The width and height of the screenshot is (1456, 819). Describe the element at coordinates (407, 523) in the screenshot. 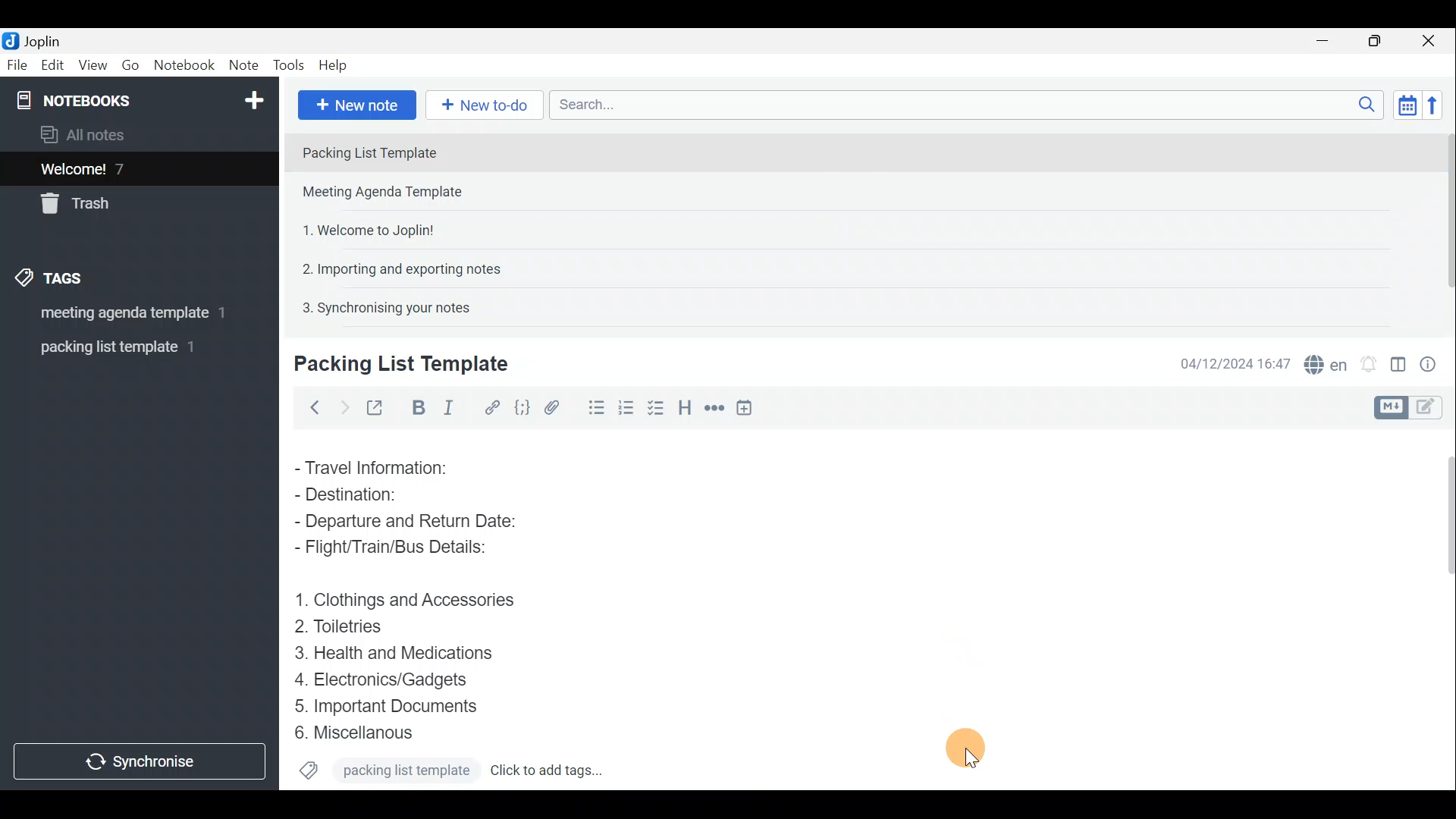

I see `Departure and Return Date:` at that location.